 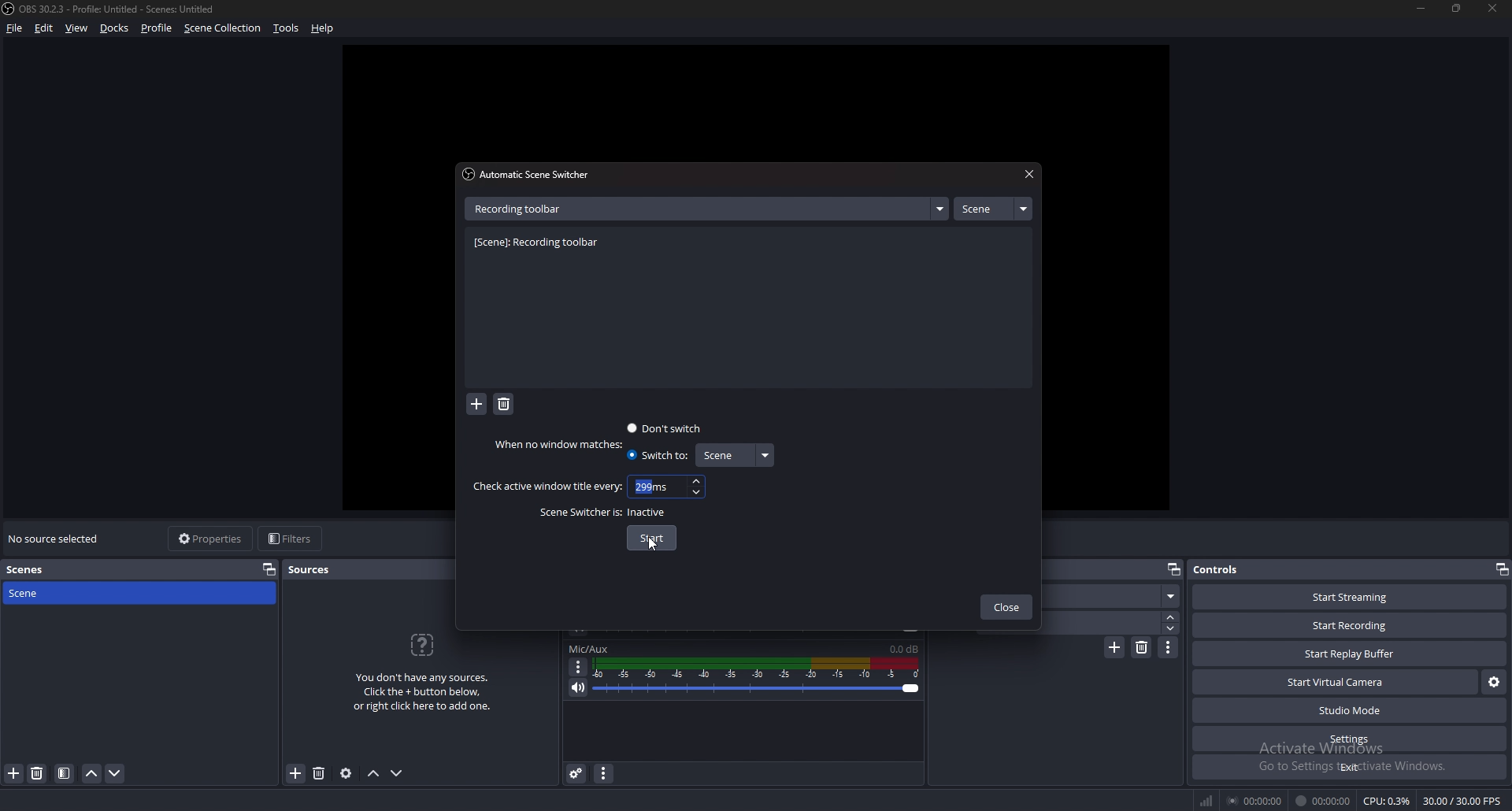 I want to click on cpu, so click(x=1387, y=801).